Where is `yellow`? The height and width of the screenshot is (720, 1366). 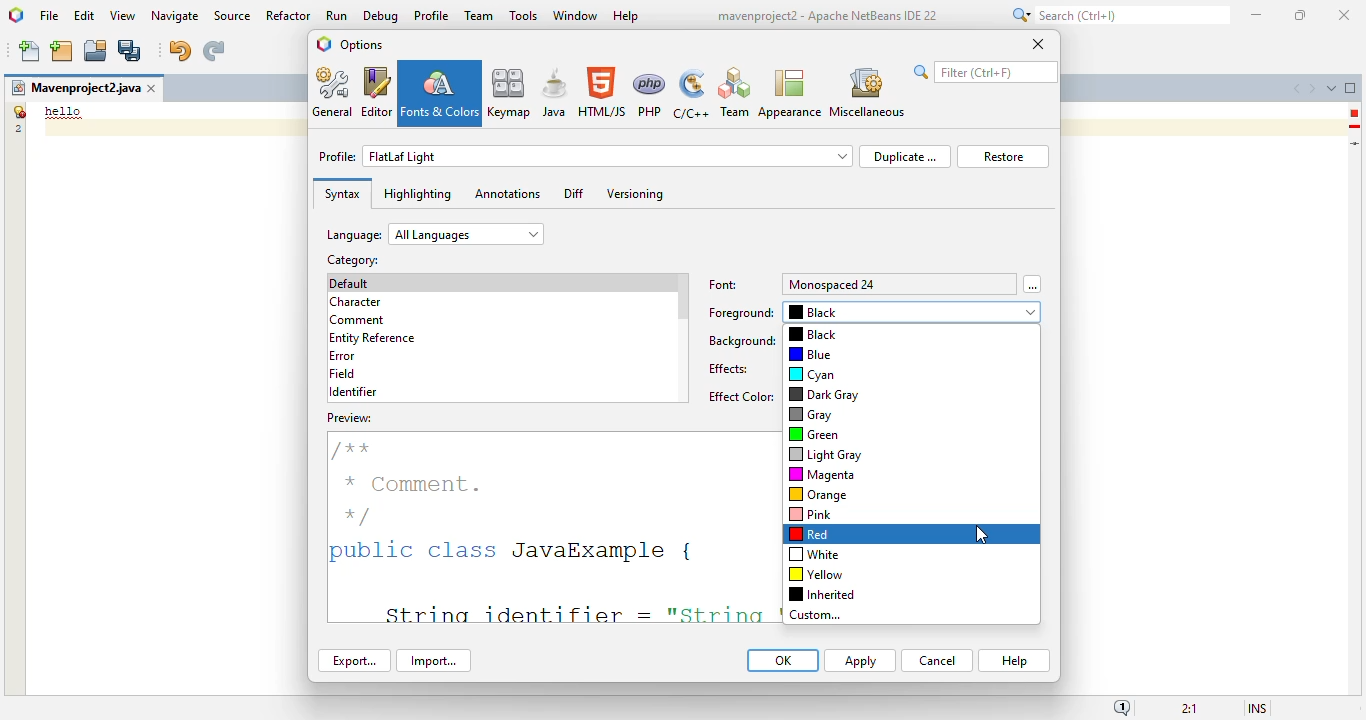 yellow is located at coordinates (816, 574).